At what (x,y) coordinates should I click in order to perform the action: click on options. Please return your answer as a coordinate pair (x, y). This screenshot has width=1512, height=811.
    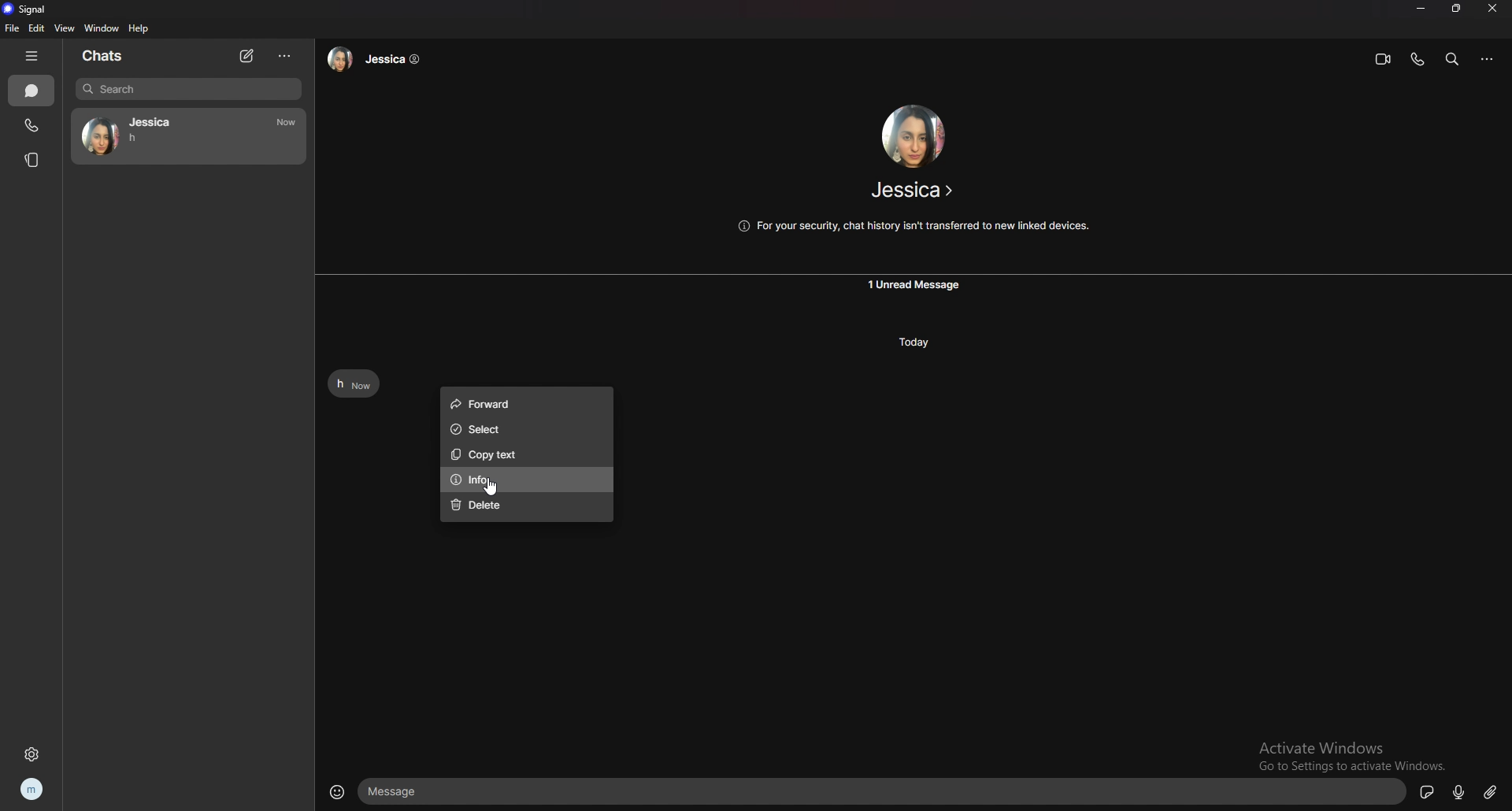
    Looking at the image, I should click on (283, 57).